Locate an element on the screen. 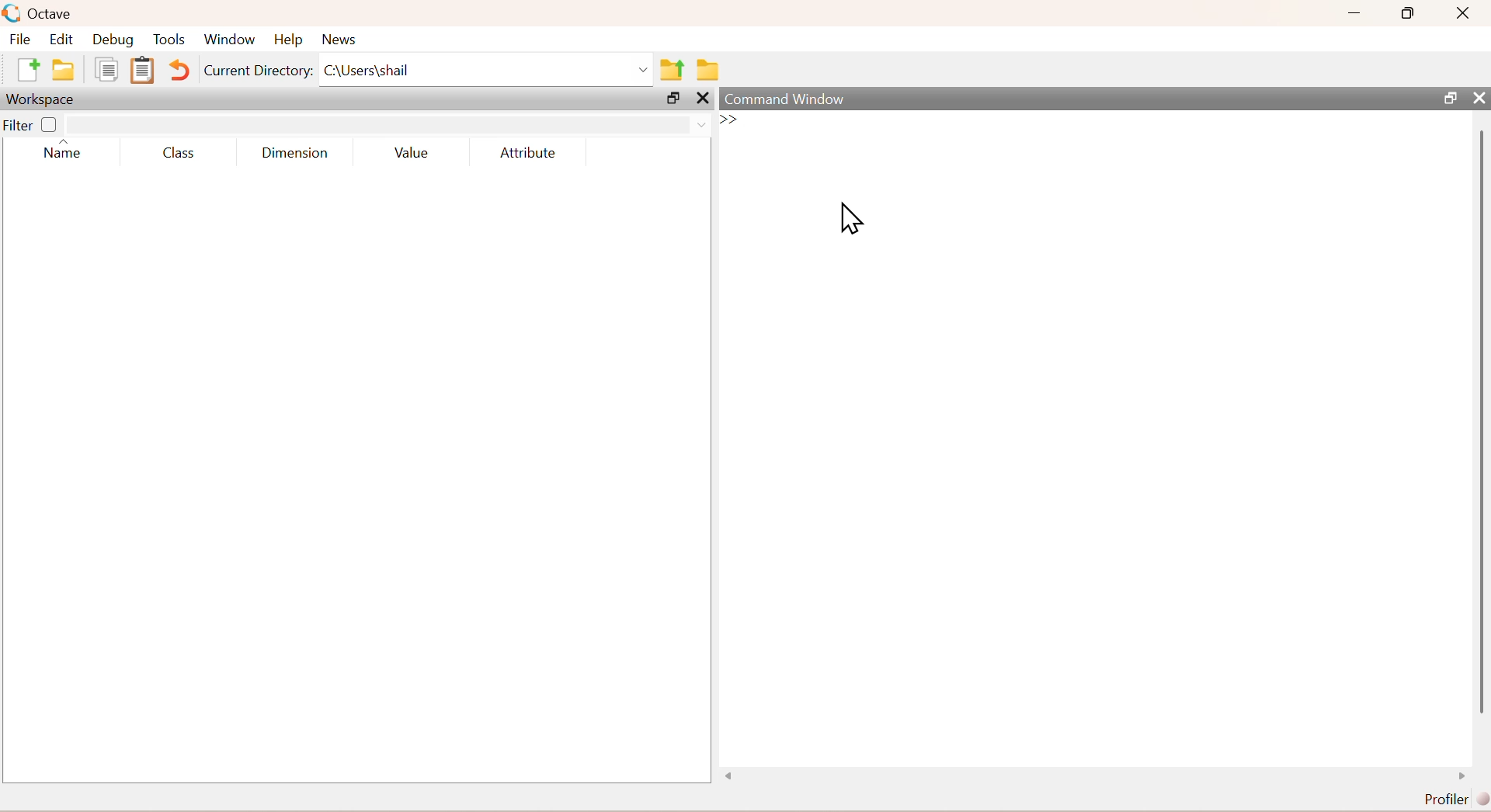 The height and width of the screenshot is (812, 1491). debug is located at coordinates (113, 40).